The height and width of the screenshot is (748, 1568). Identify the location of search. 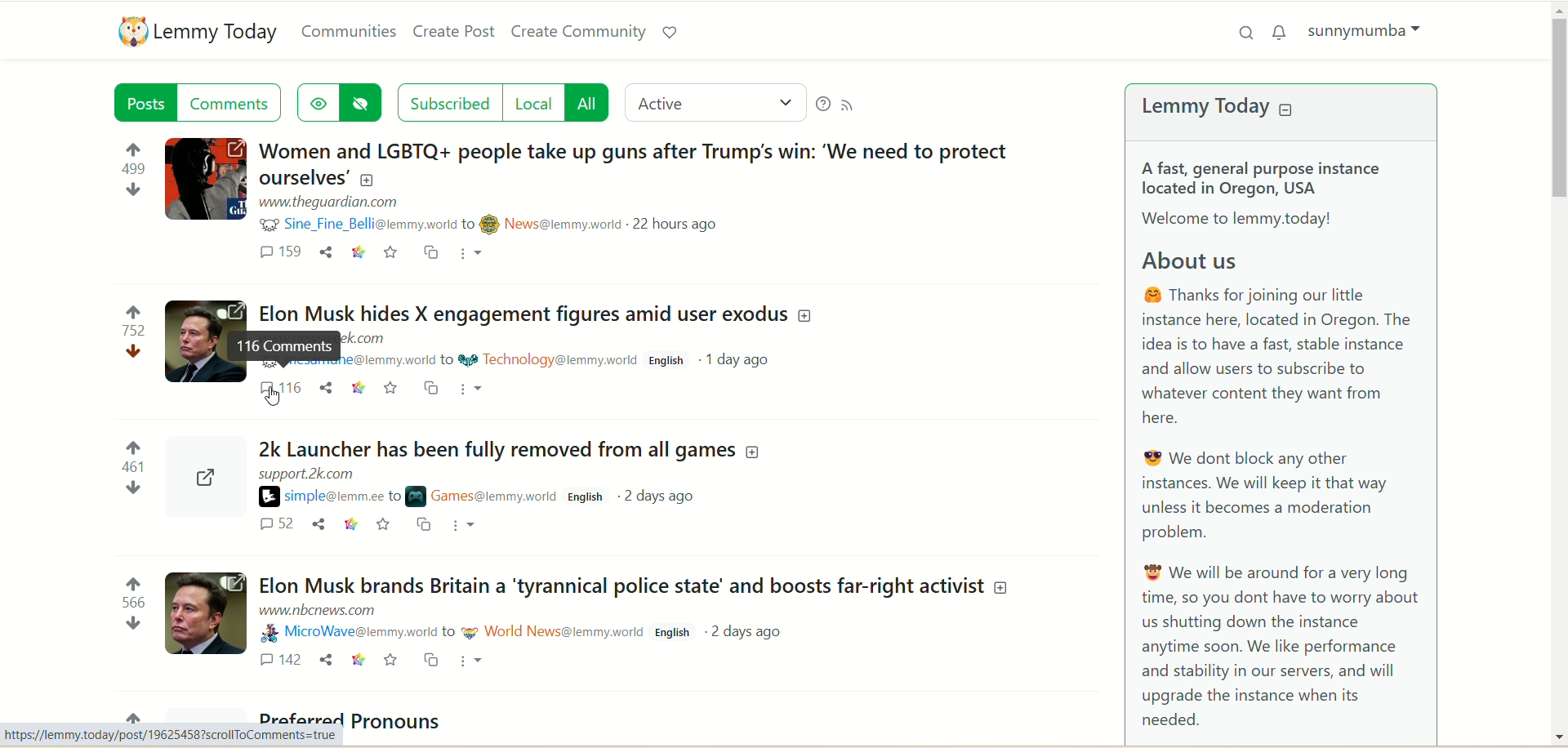
(1244, 33).